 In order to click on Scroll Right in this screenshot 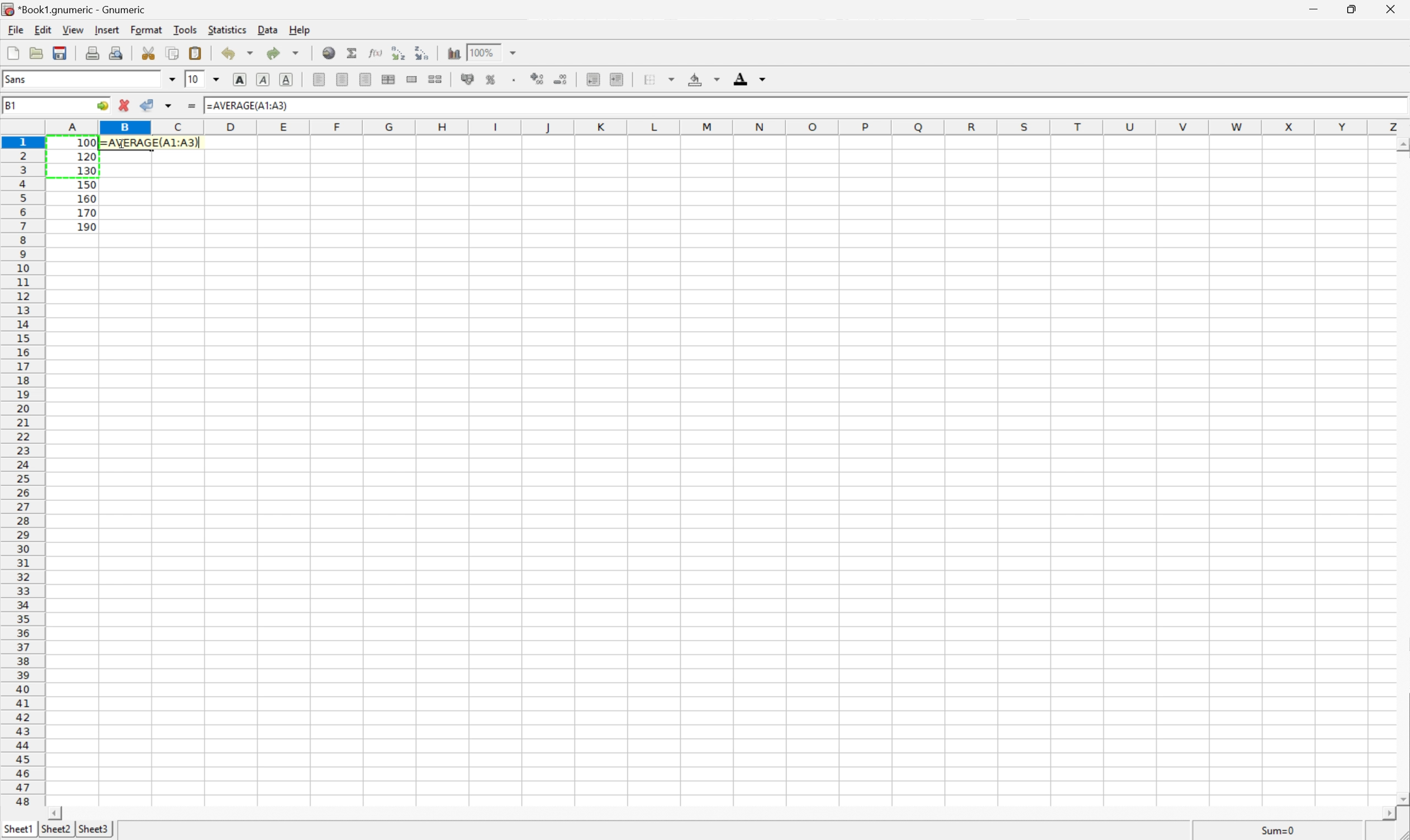, I will do `click(1383, 812)`.